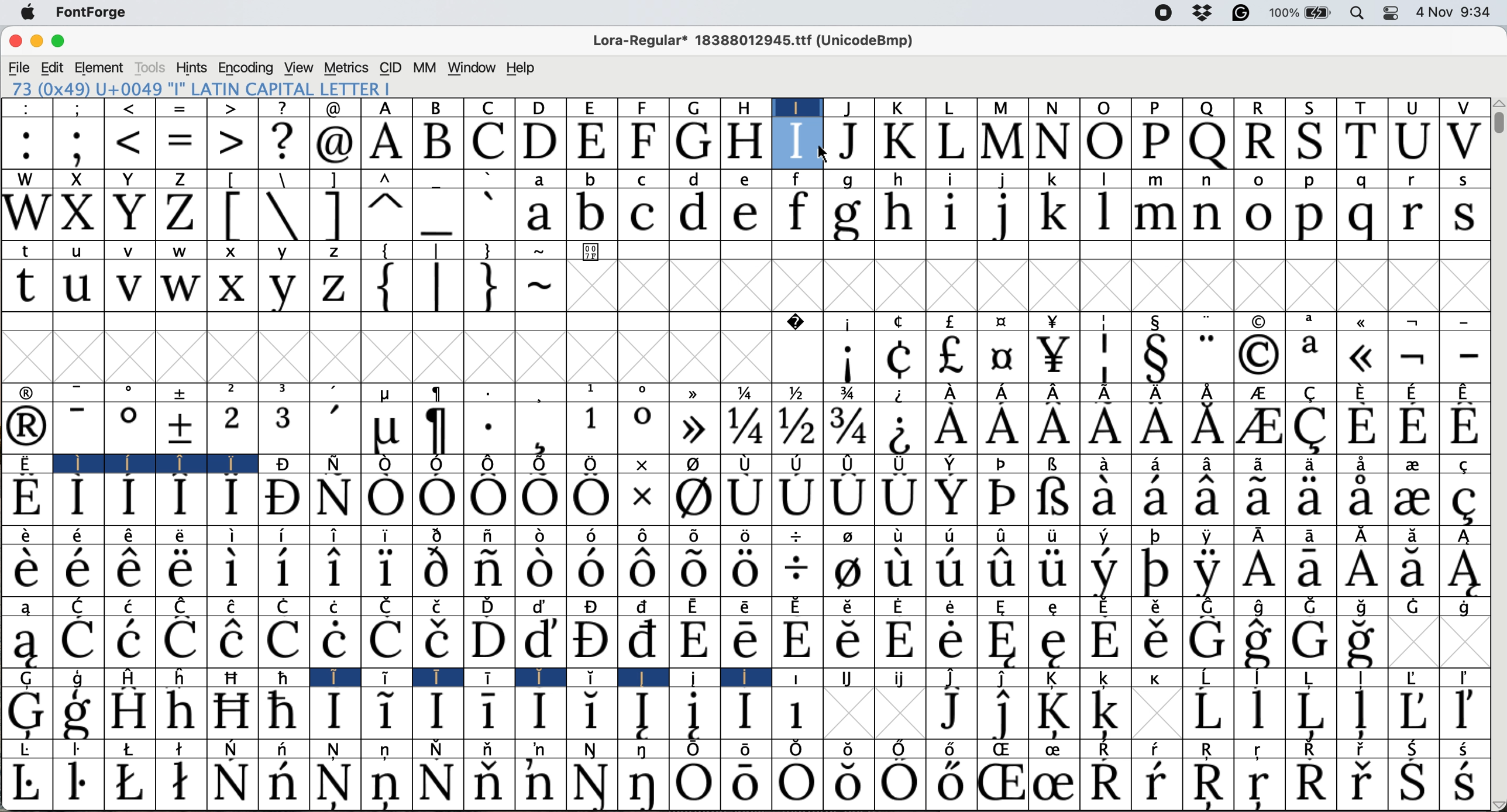 The height and width of the screenshot is (812, 1507). What do you see at coordinates (1467, 748) in the screenshot?
I see `Symbol` at bounding box center [1467, 748].